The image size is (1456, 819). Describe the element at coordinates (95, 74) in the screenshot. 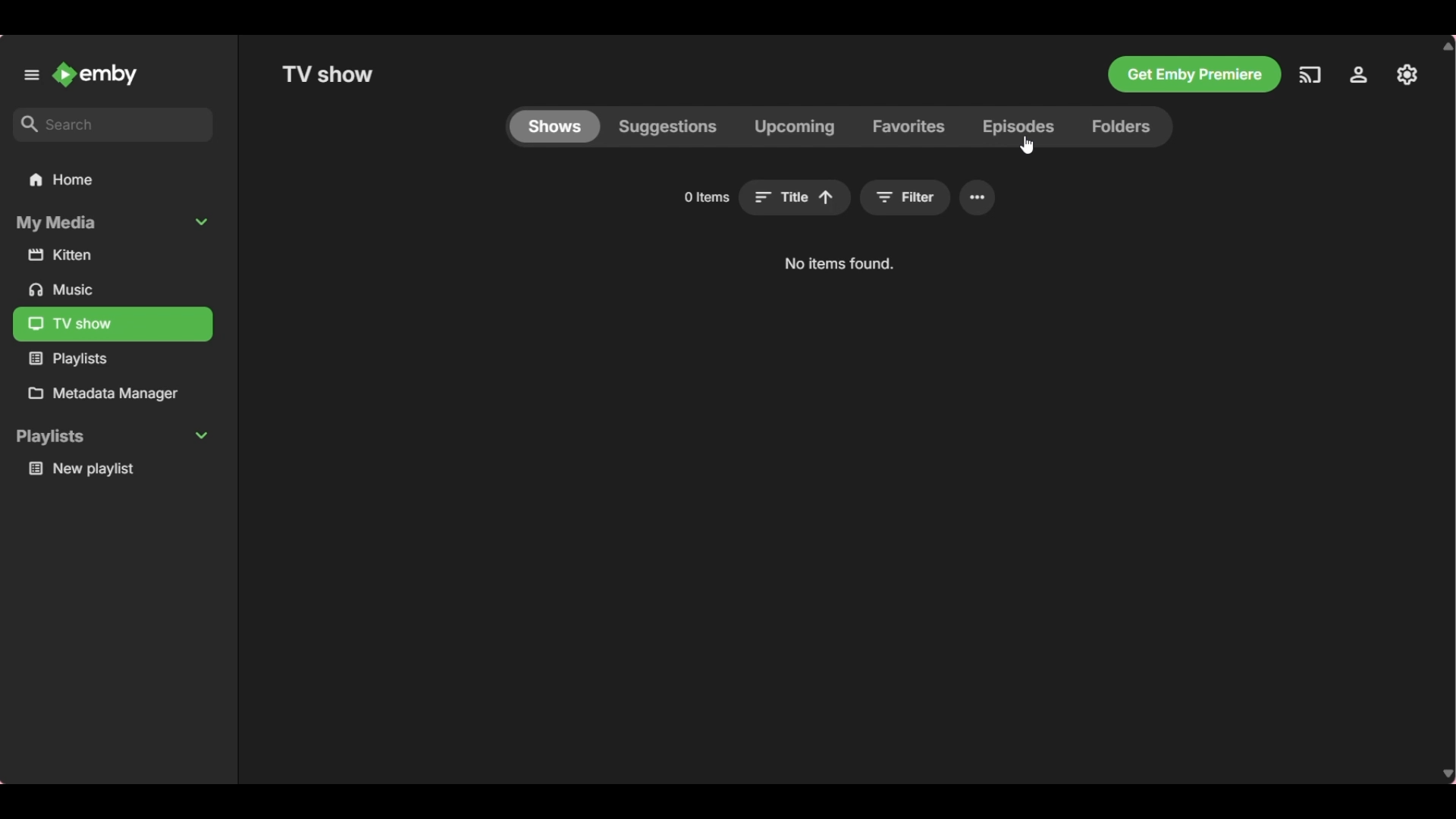

I see `Go to home` at that location.